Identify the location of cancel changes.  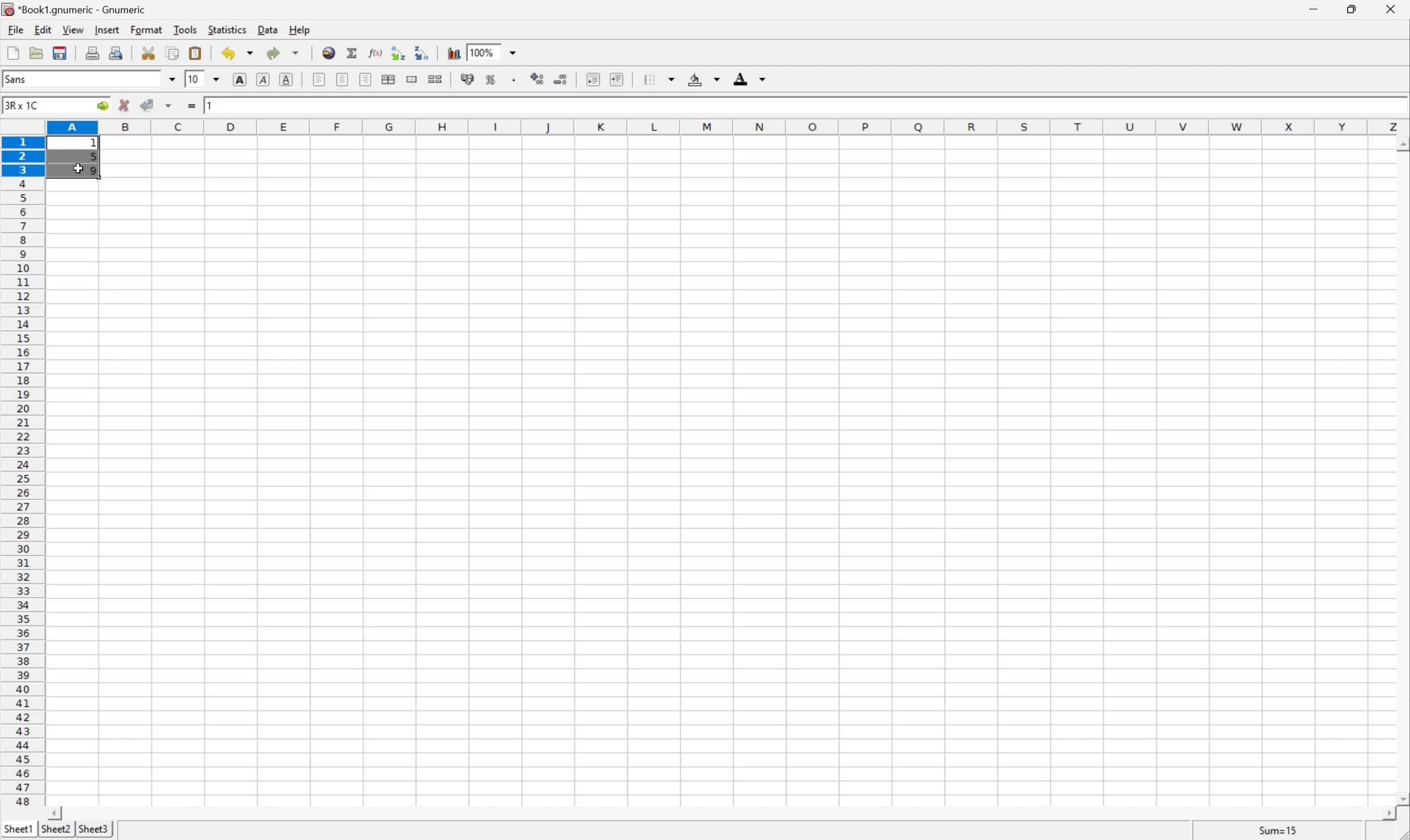
(125, 105).